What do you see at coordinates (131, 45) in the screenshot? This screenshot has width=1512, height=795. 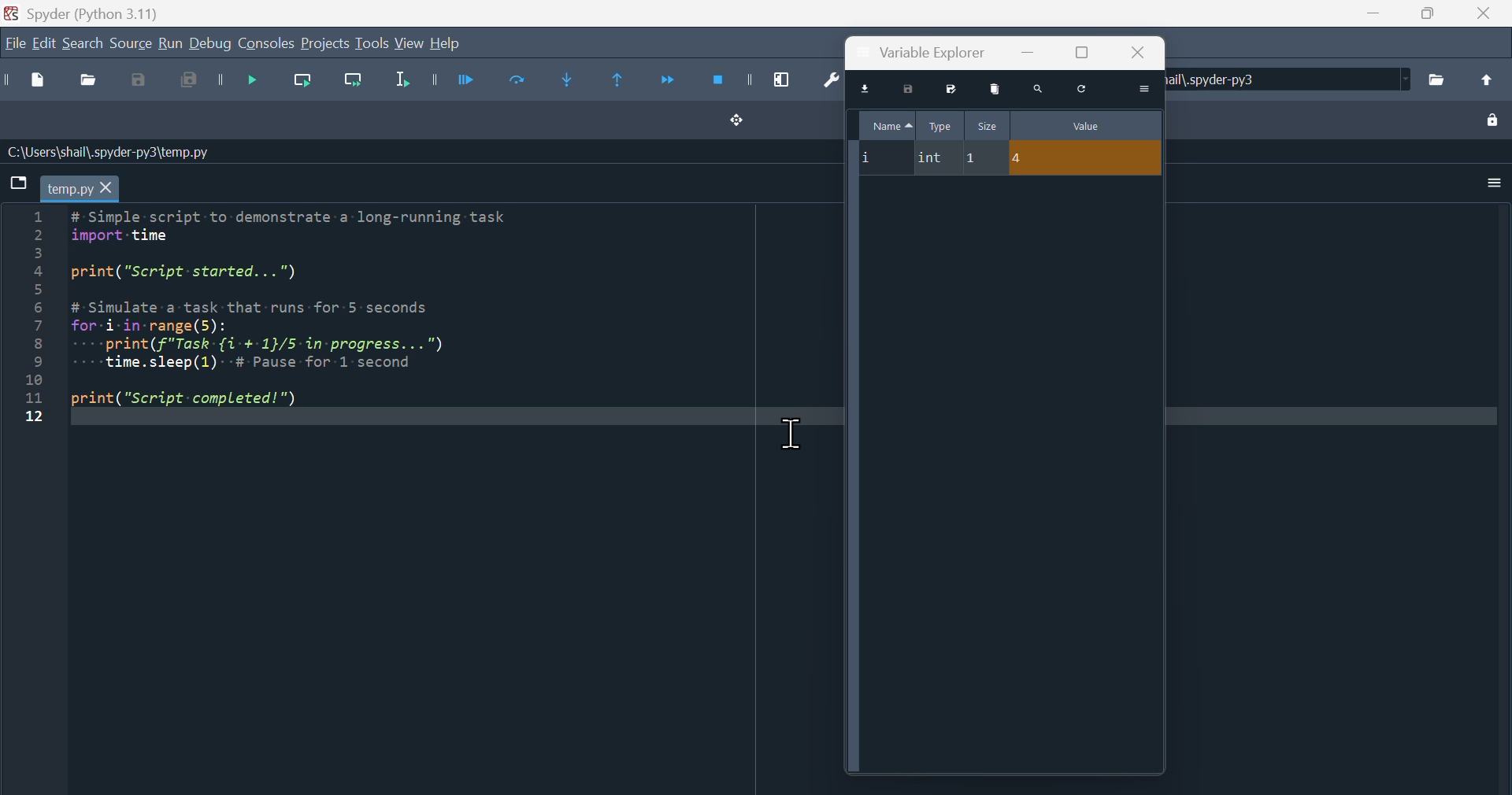 I see `source` at bounding box center [131, 45].